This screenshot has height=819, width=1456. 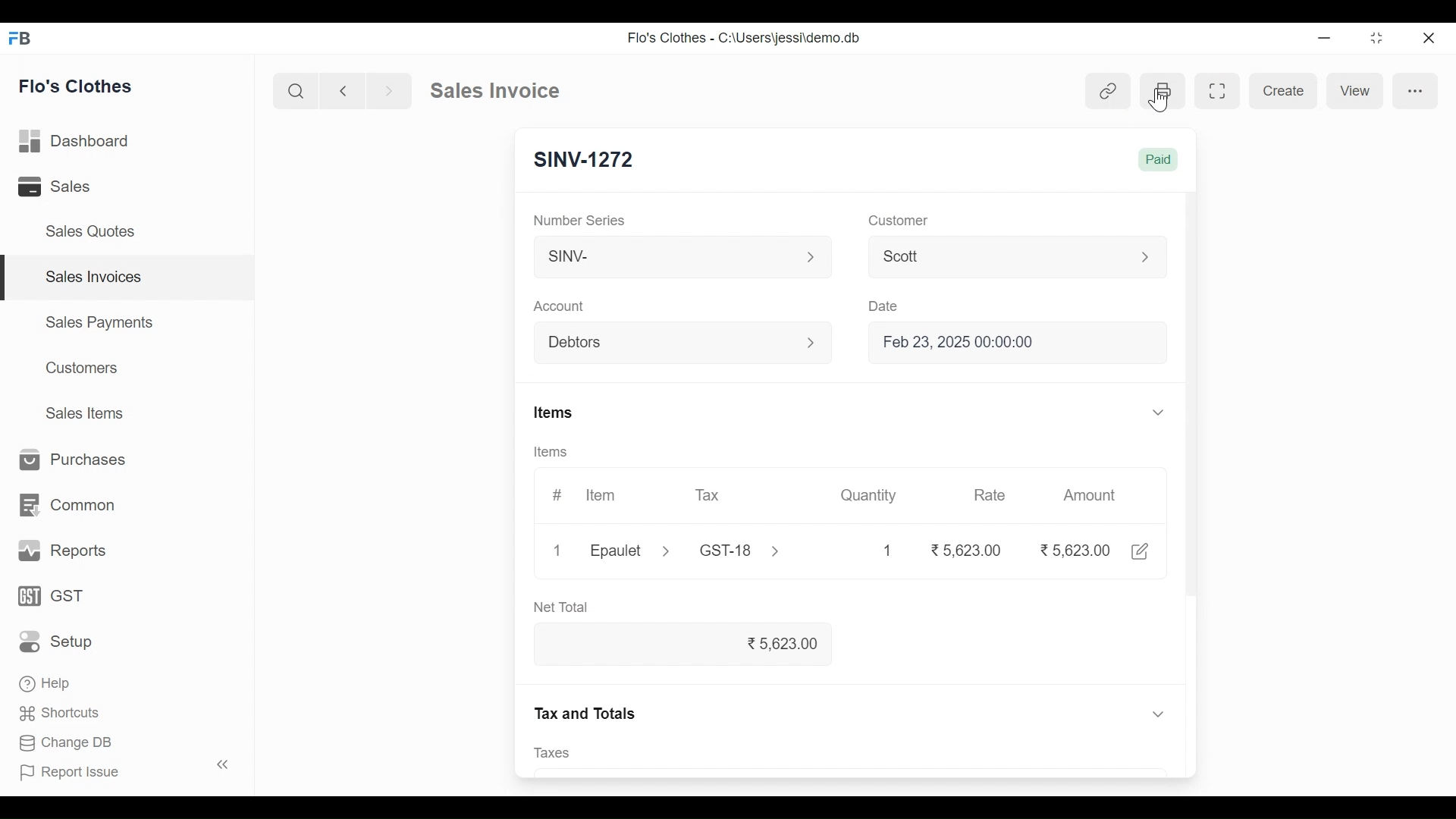 I want to click on Sales Items, so click(x=84, y=413).